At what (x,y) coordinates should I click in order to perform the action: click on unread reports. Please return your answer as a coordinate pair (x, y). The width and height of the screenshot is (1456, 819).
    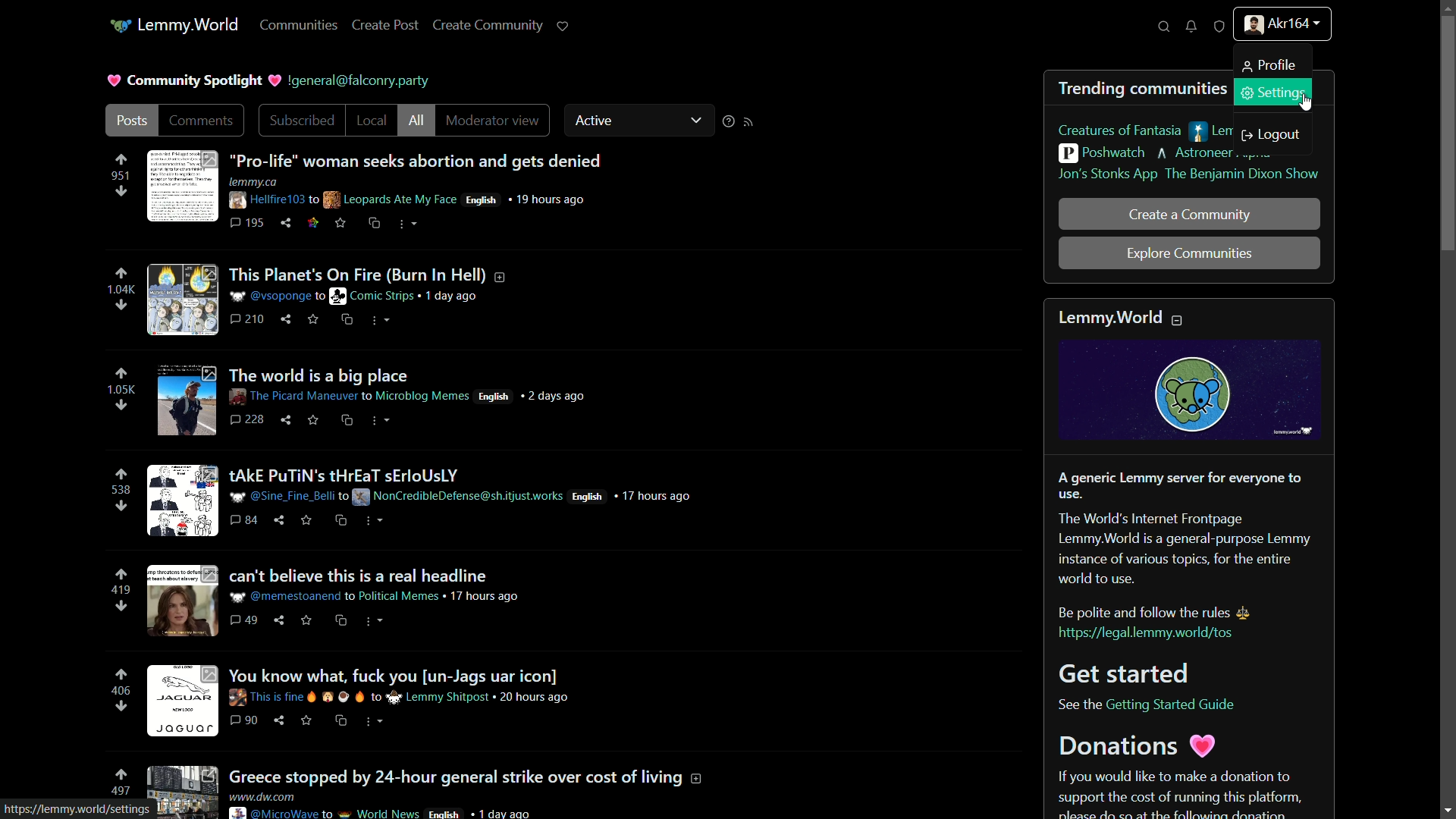
    Looking at the image, I should click on (1219, 27).